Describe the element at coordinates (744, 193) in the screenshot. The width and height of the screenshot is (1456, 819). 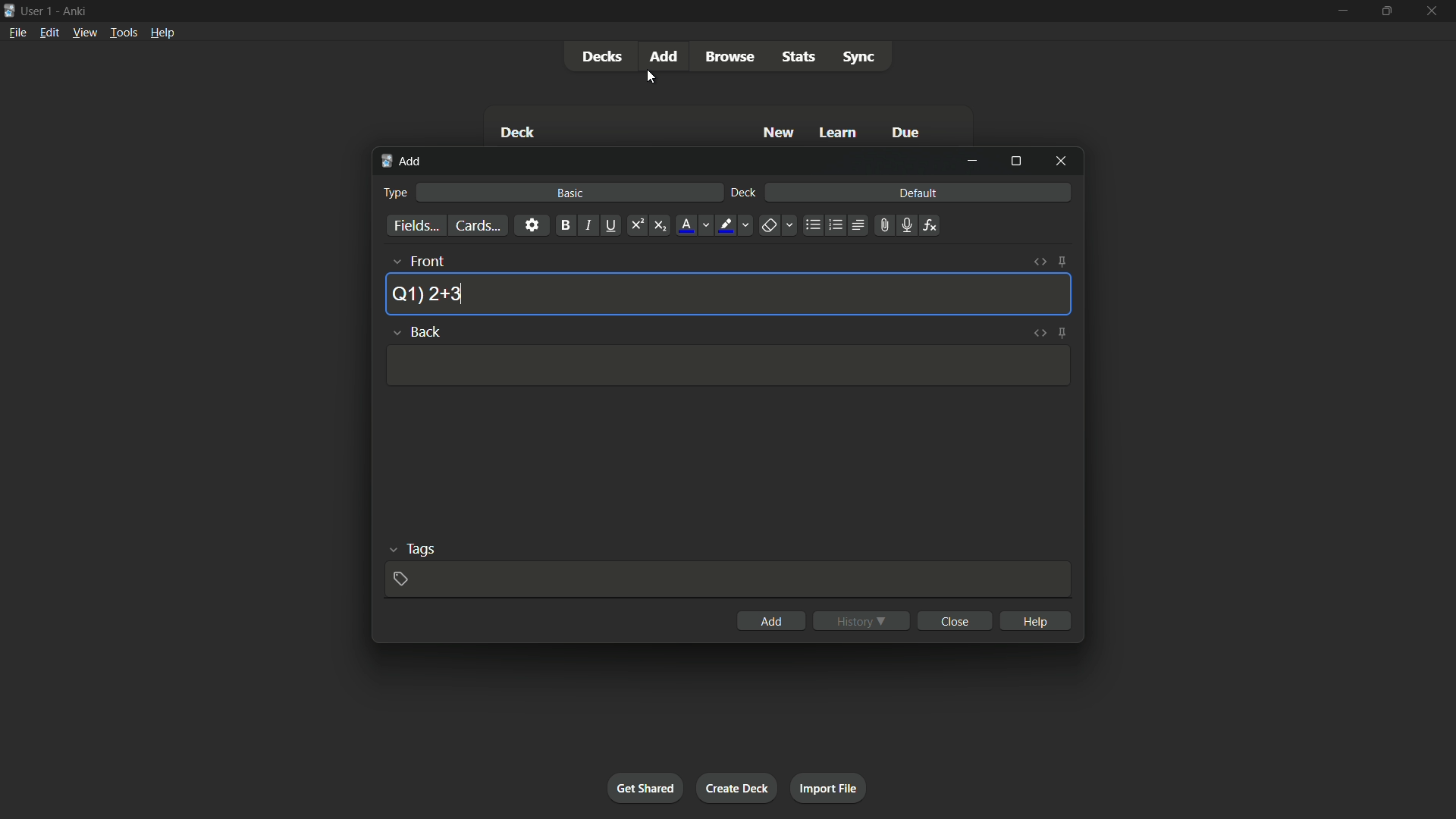
I see `deck` at that location.